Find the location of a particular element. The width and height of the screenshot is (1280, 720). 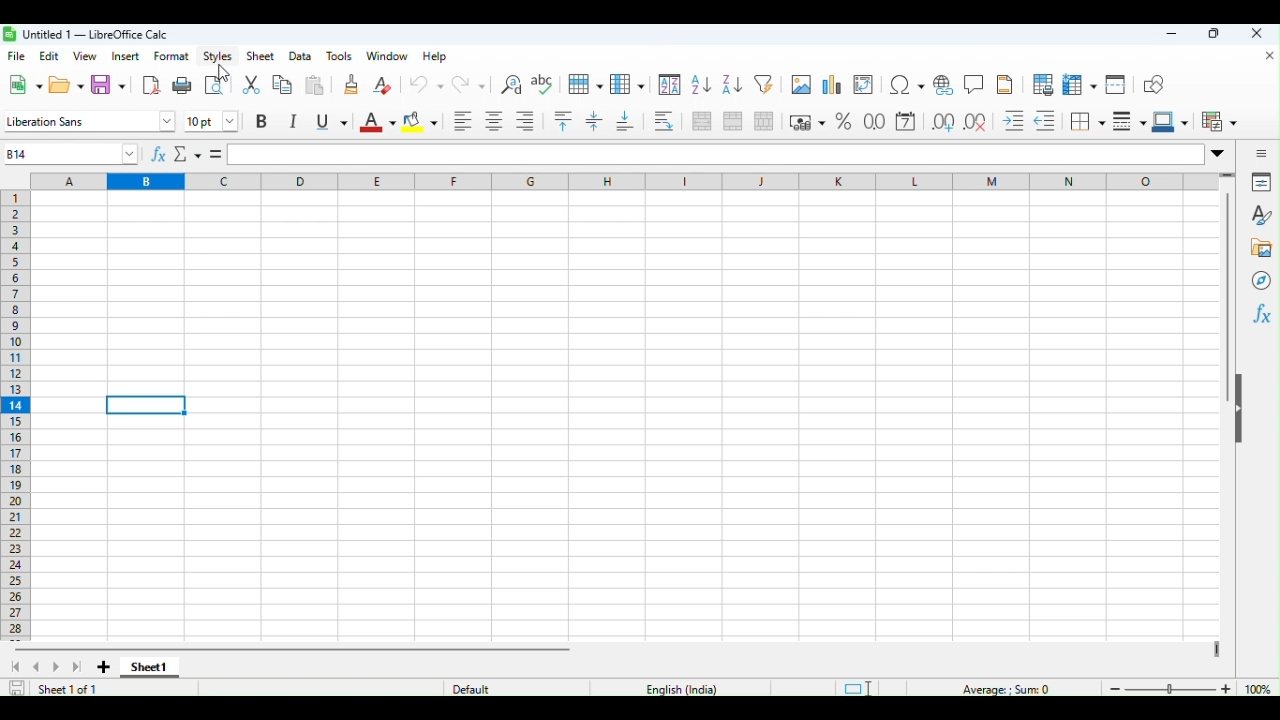

A is located at coordinates (377, 122).